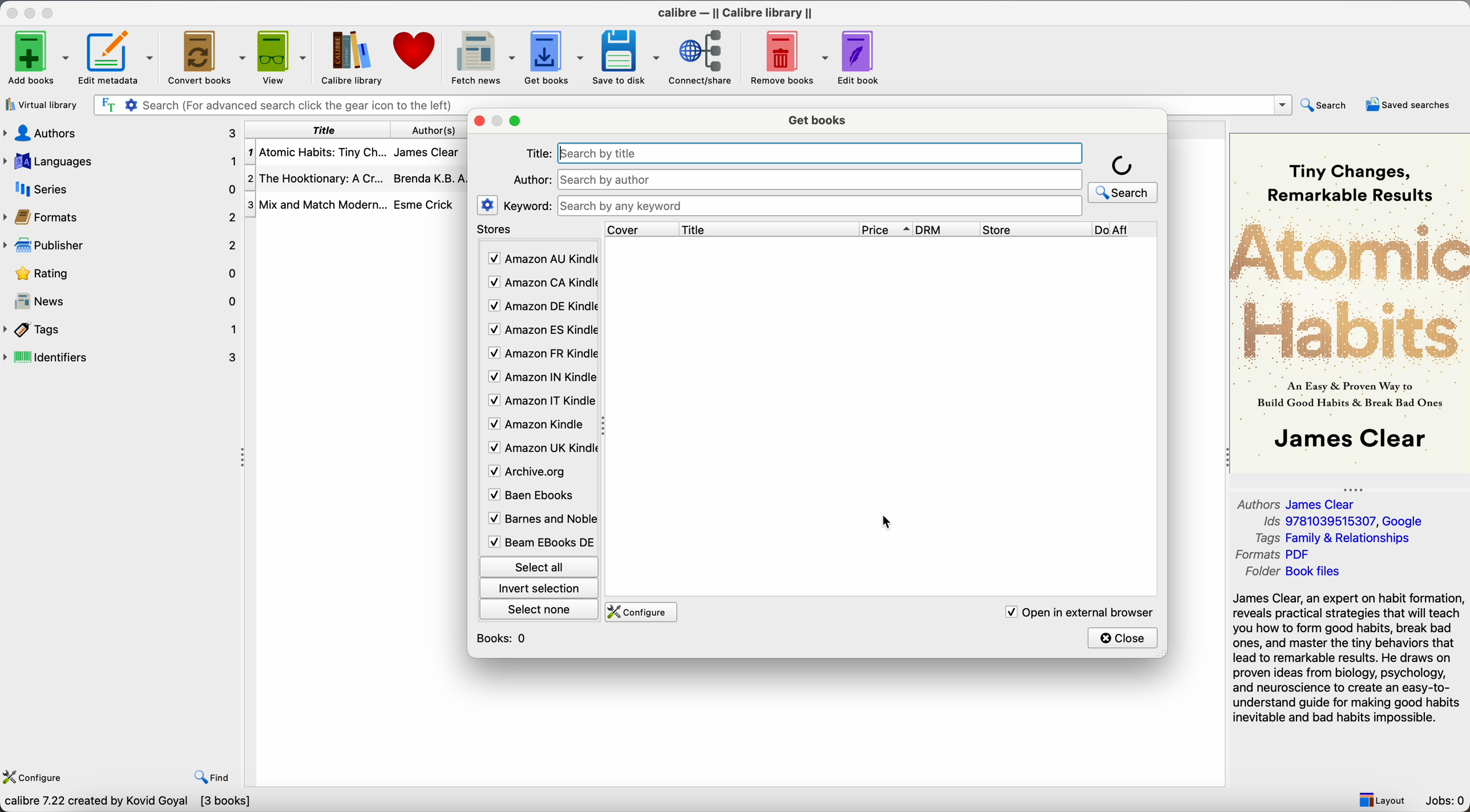 This screenshot has height=812, width=1470. I want to click on Amazon FR Kindle, so click(540, 355).